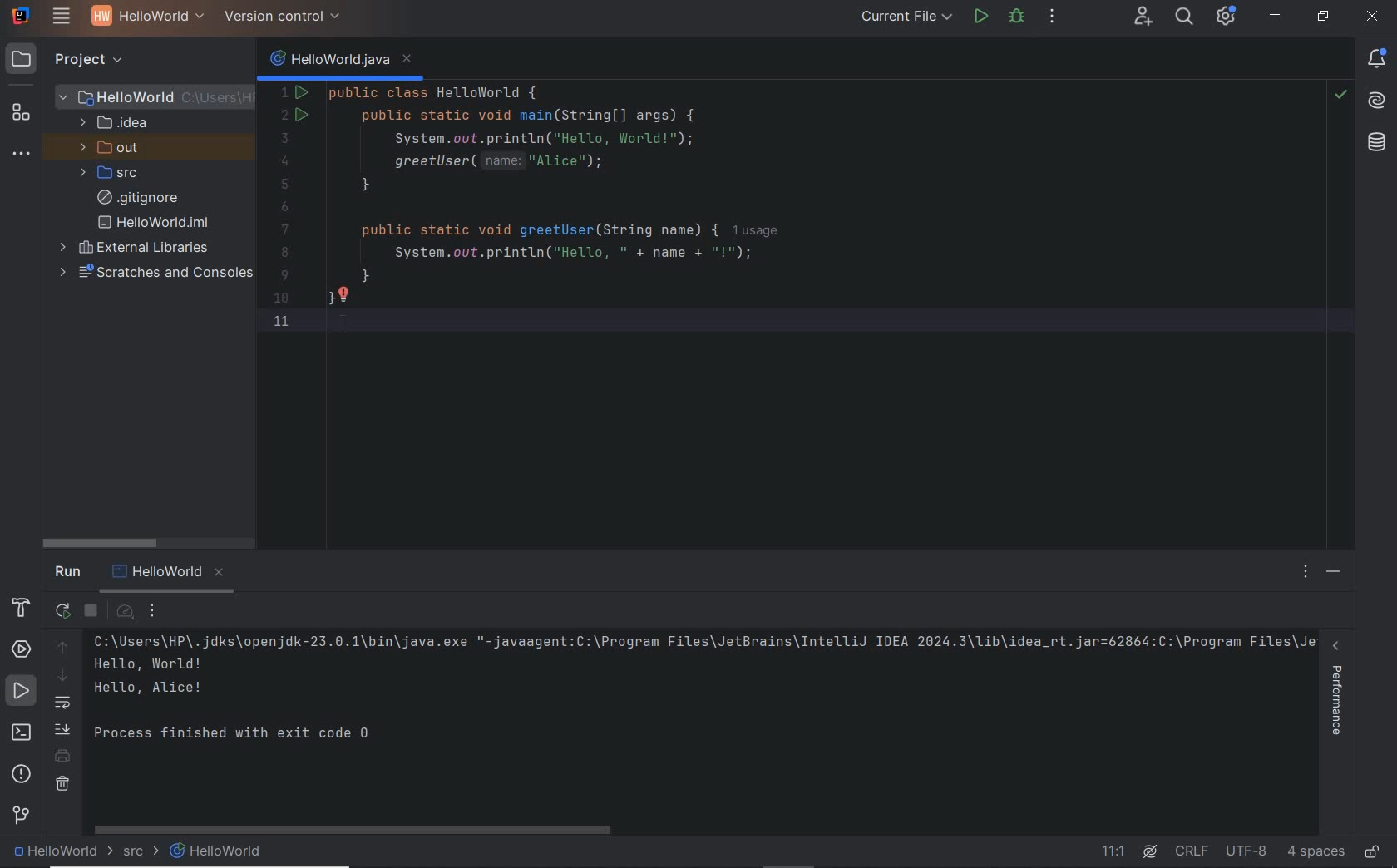 The width and height of the screenshot is (1397, 868). What do you see at coordinates (1276, 17) in the screenshot?
I see `minimize` at bounding box center [1276, 17].